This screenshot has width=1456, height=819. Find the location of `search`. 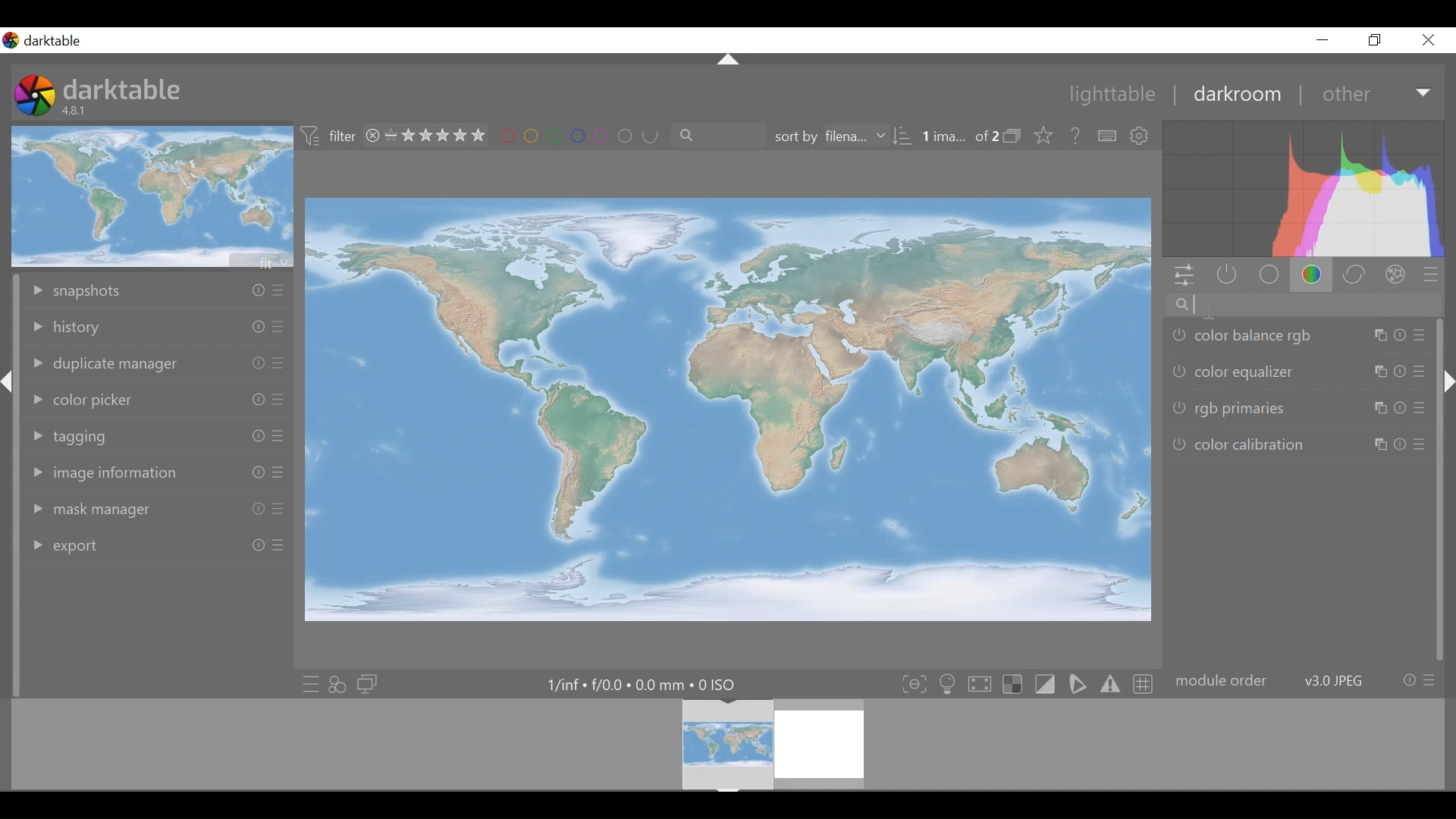

search is located at coordinates (713, 135).